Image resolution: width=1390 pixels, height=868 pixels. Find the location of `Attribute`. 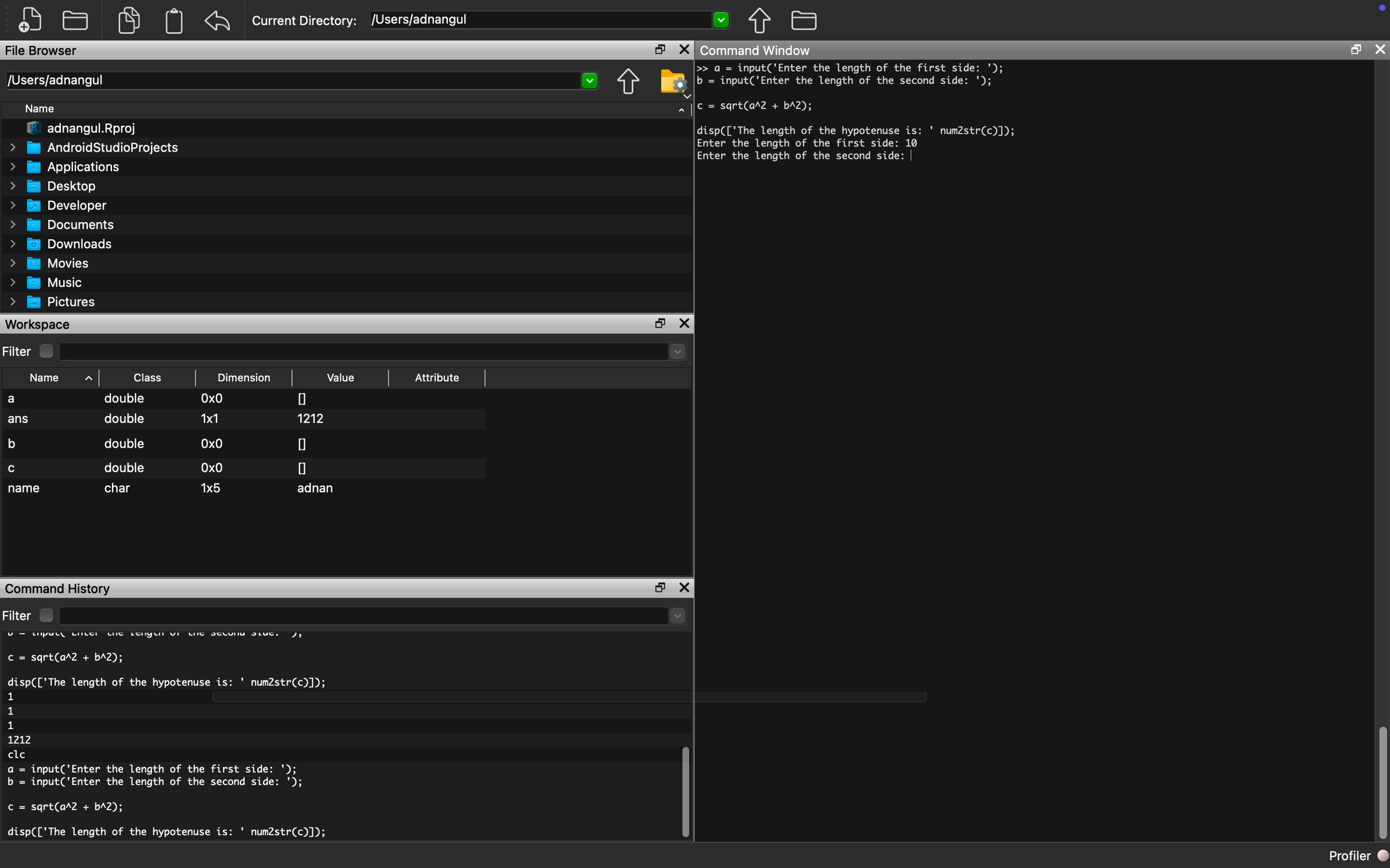

Attribute is located at coordinates (438, 381).